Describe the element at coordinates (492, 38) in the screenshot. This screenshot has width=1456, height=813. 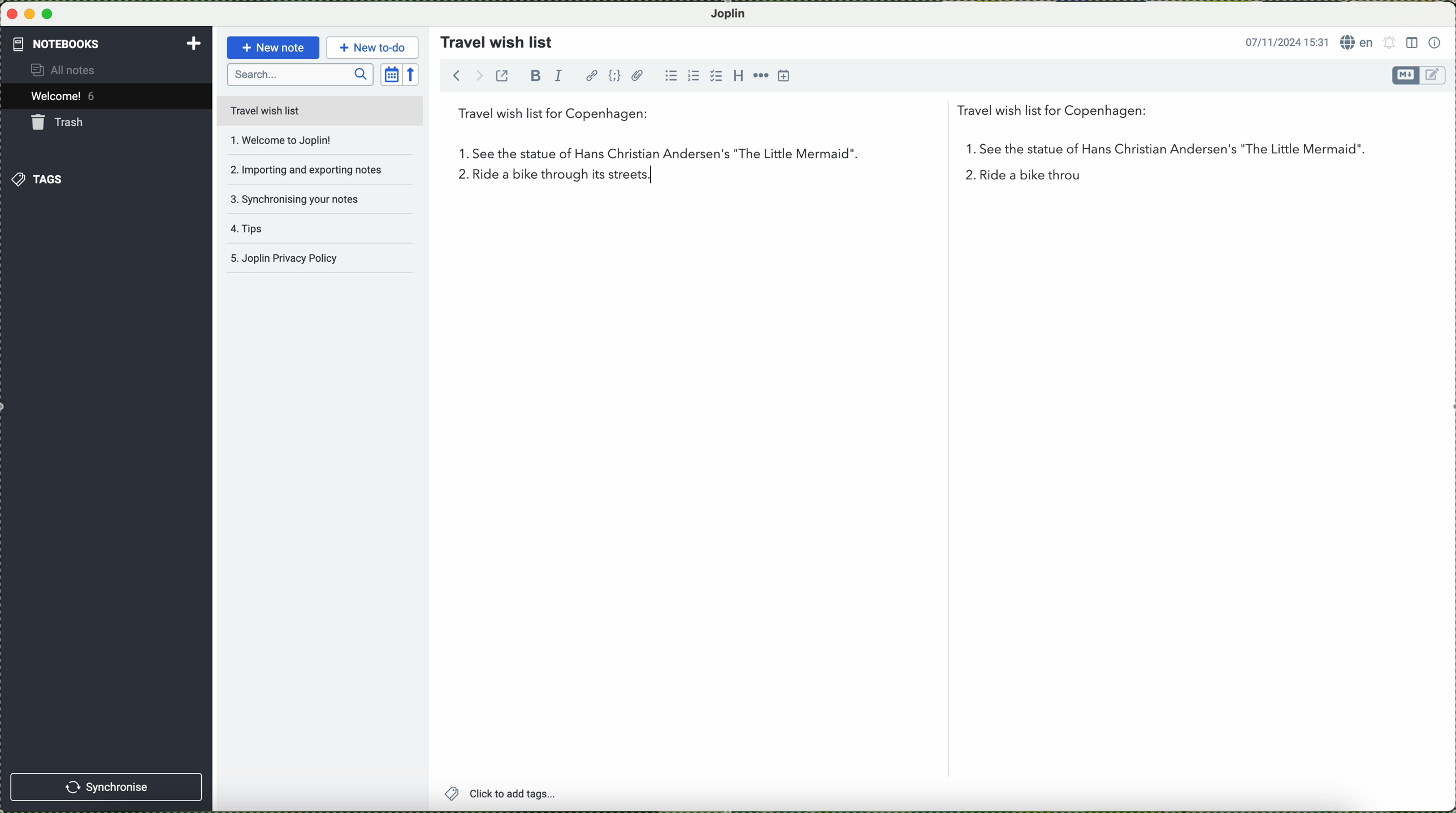
I see `travel wish list` at that location.